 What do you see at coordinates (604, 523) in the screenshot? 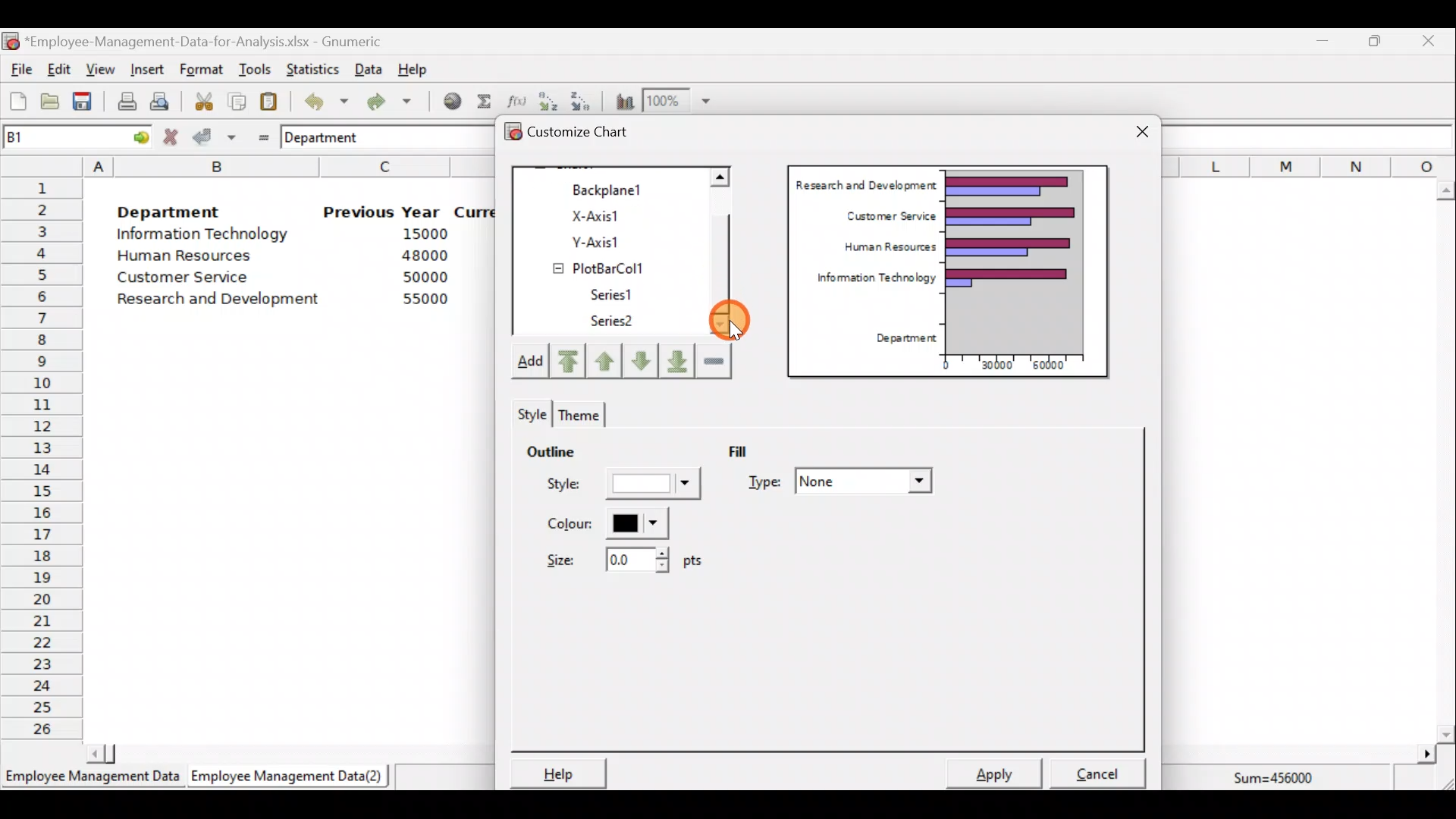
I see `Color` at bounding box center [604, 523].